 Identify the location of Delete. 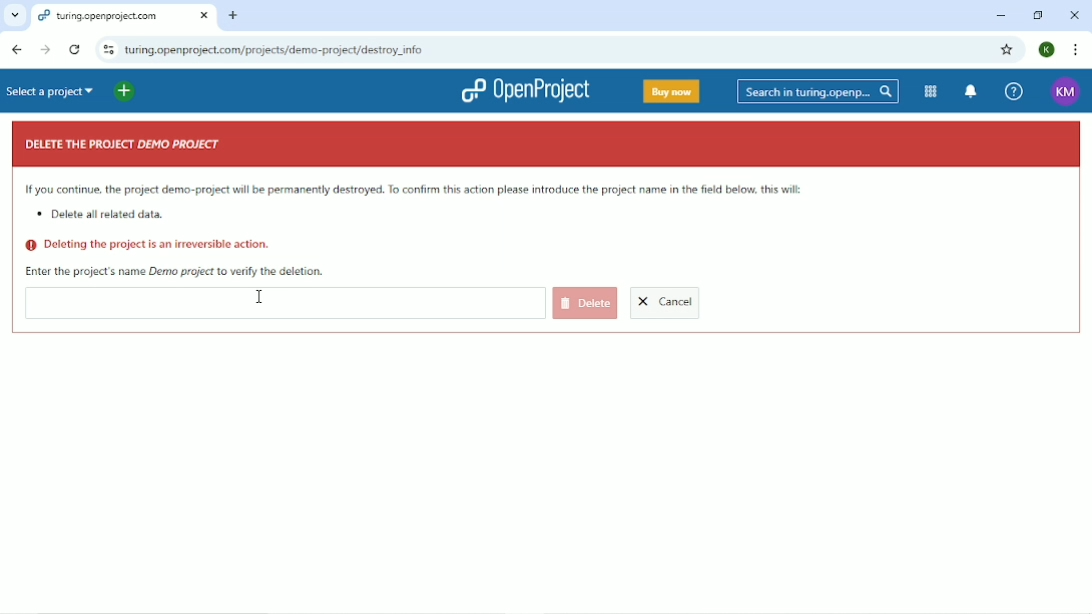
(585, 302).